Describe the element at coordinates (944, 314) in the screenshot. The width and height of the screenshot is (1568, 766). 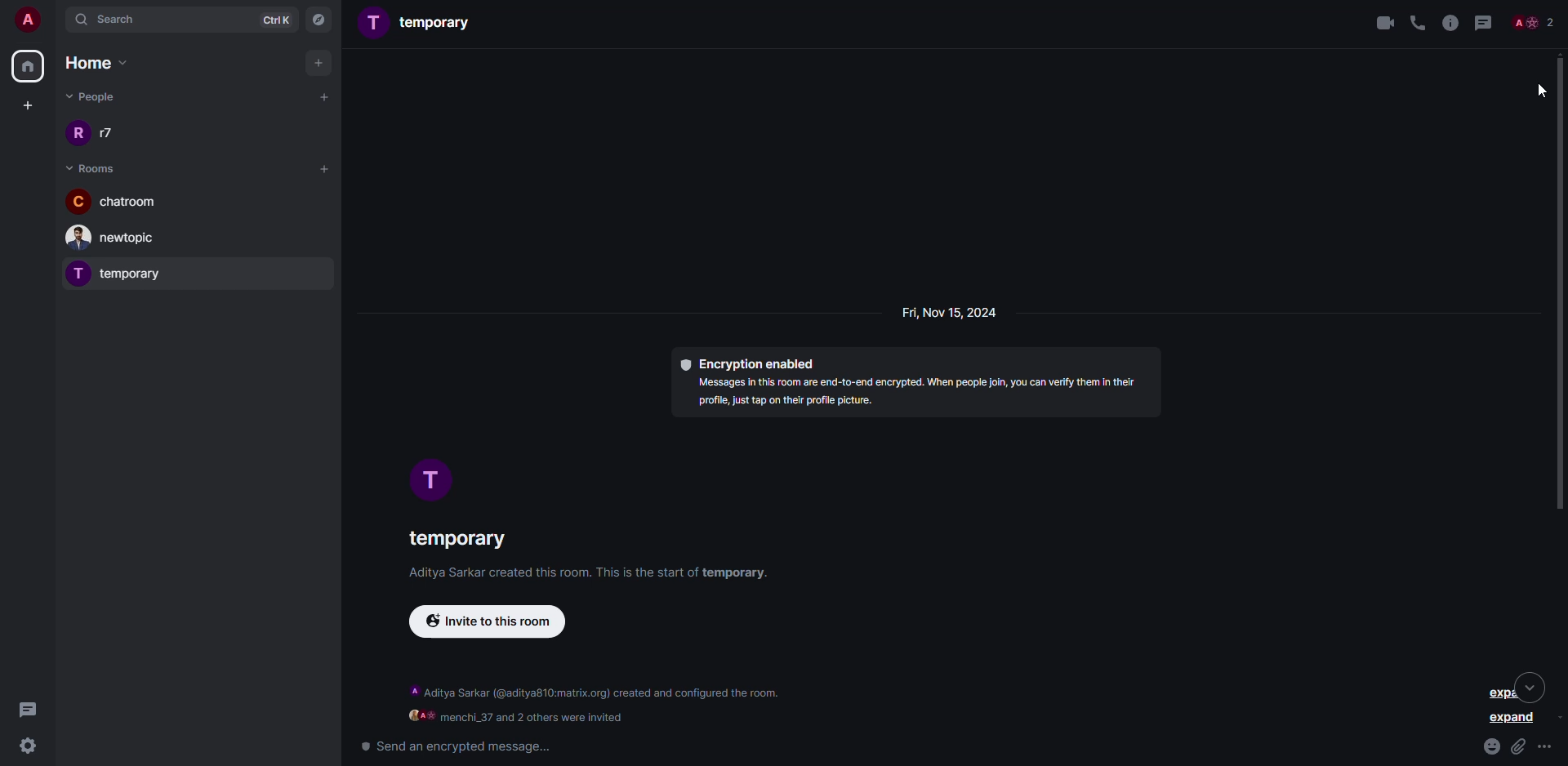
I see `day` at that location.